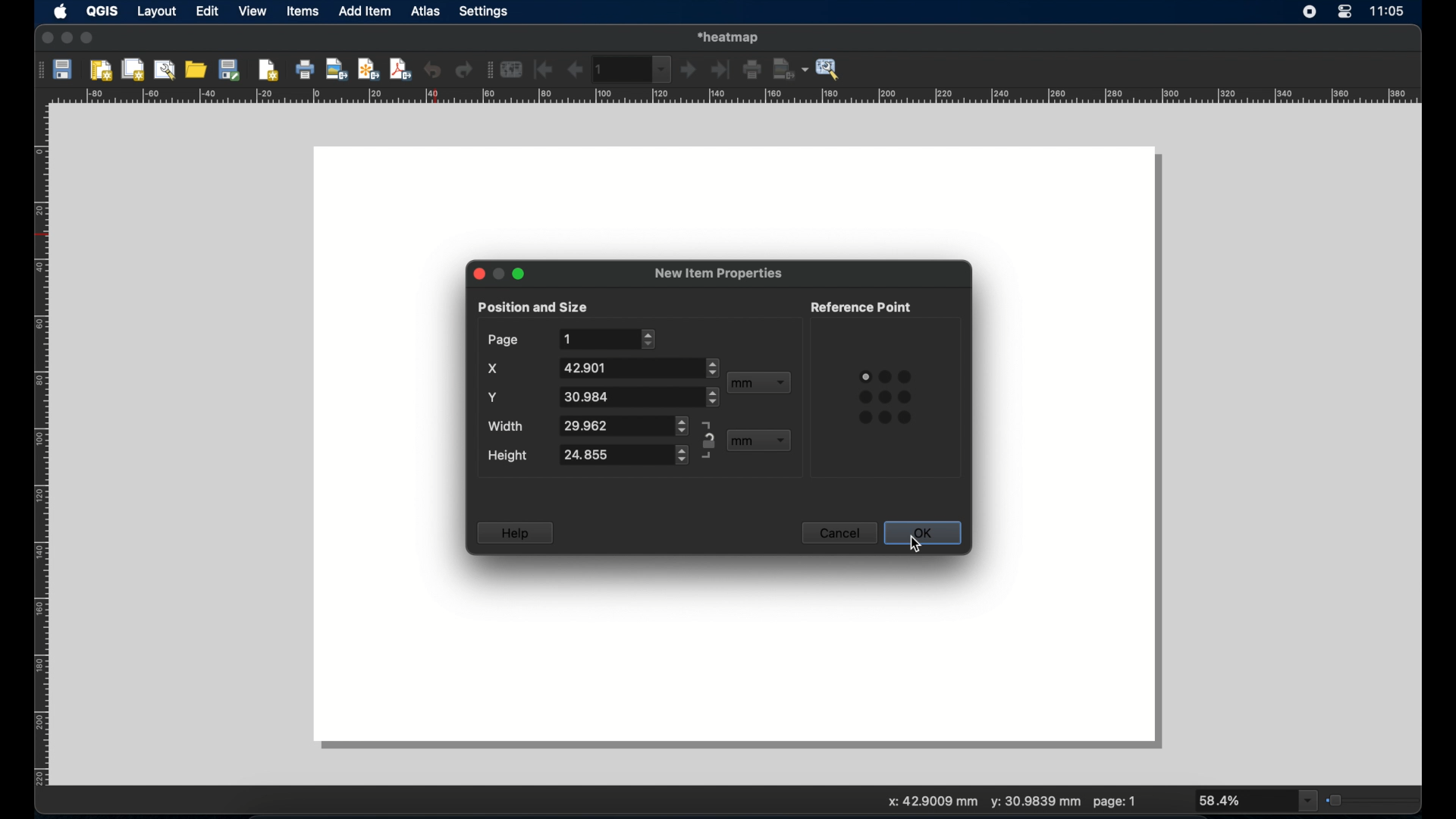  I want to click on X stepper button, so click(638, 367).